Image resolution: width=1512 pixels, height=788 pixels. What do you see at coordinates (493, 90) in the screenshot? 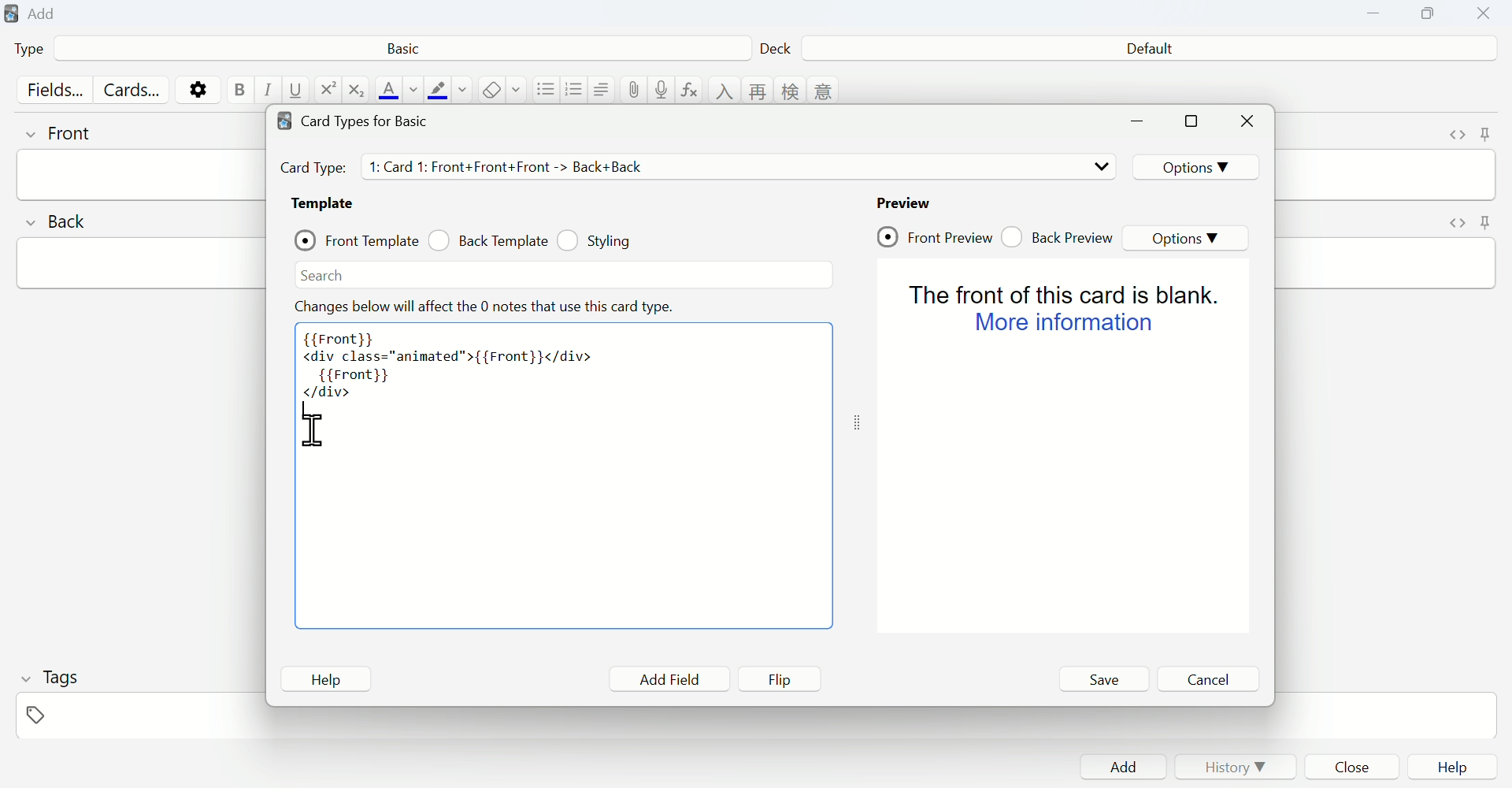
I see `remove formatting` at bounding box center [493, 90].